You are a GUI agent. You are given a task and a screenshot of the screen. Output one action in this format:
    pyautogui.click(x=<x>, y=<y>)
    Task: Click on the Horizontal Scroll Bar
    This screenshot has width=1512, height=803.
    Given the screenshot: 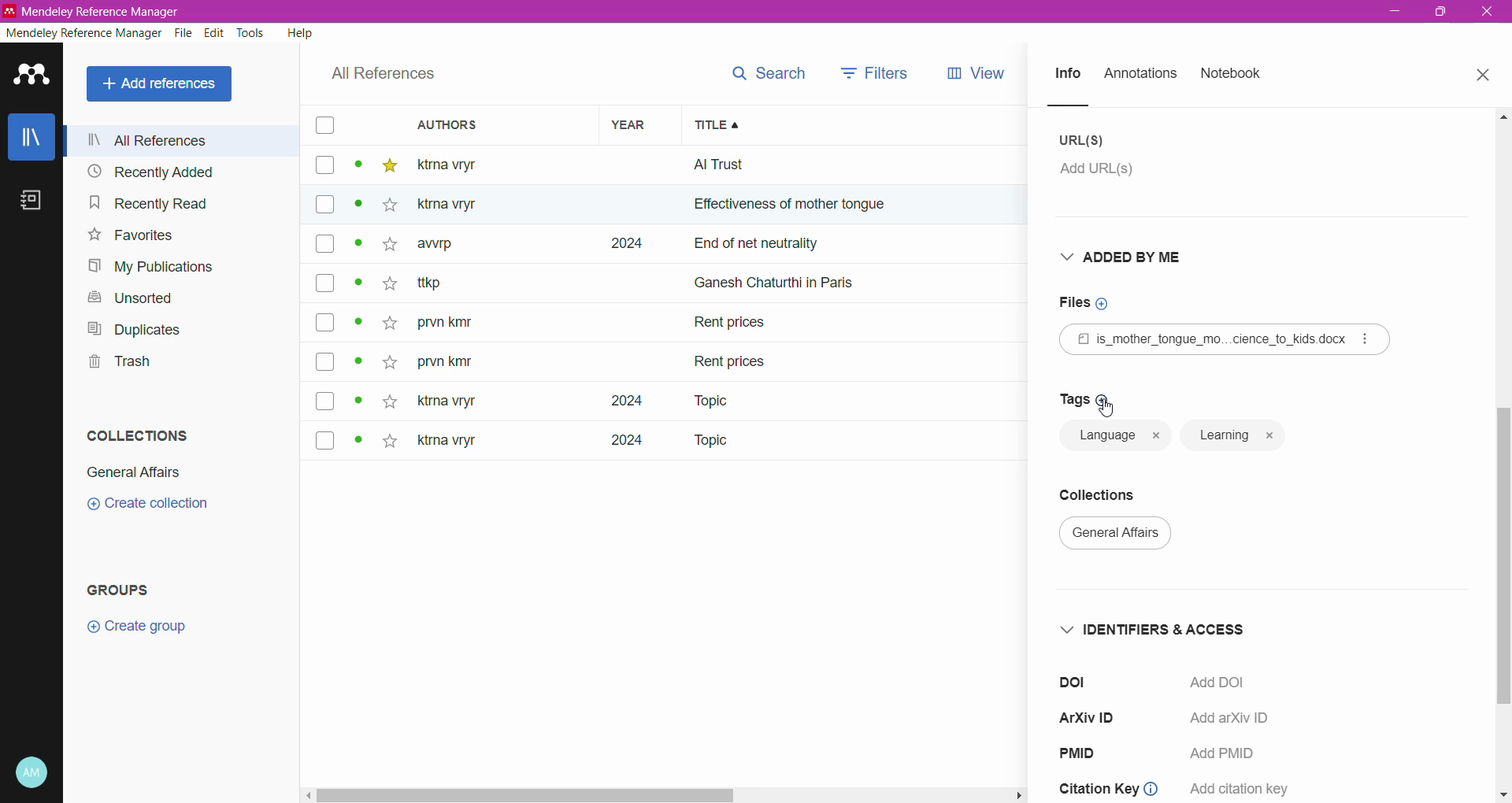 What is the action you would take?
    pyautogui.click(x=655, y=797)
    